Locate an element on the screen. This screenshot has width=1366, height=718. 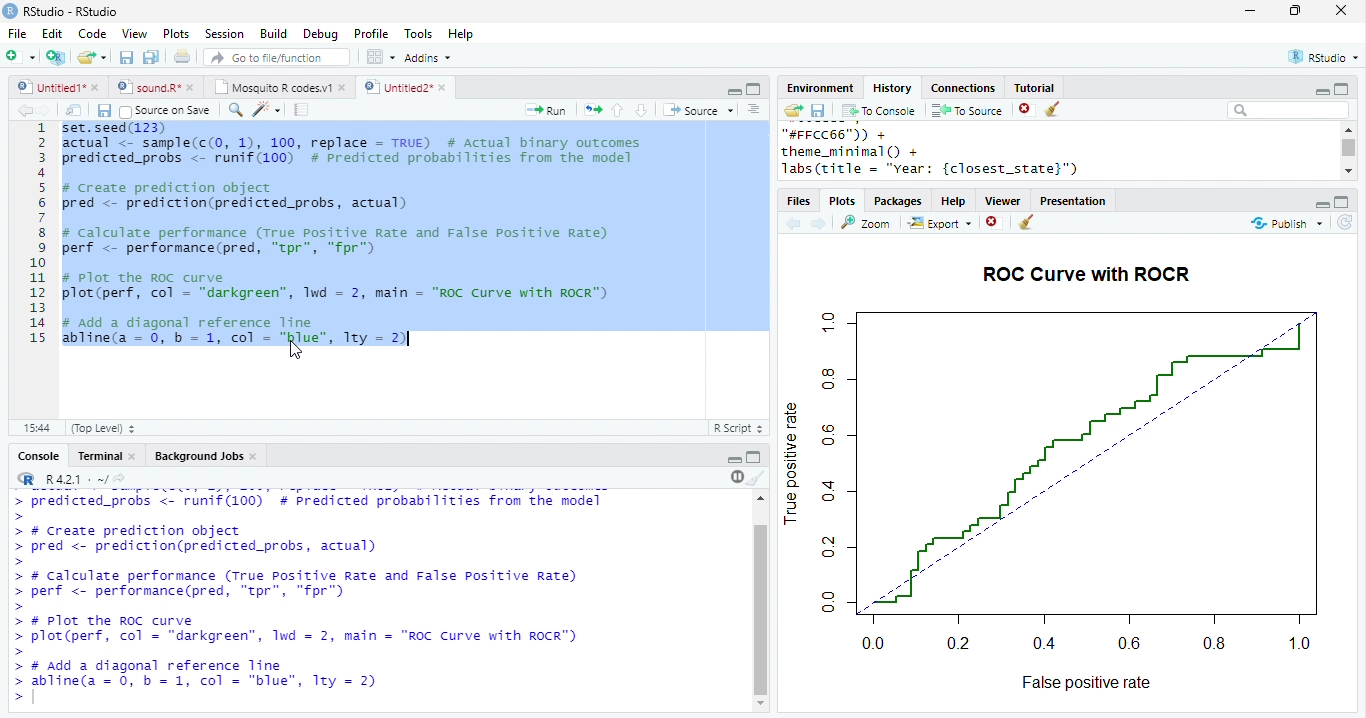
options is located at coordinates (379, 57).